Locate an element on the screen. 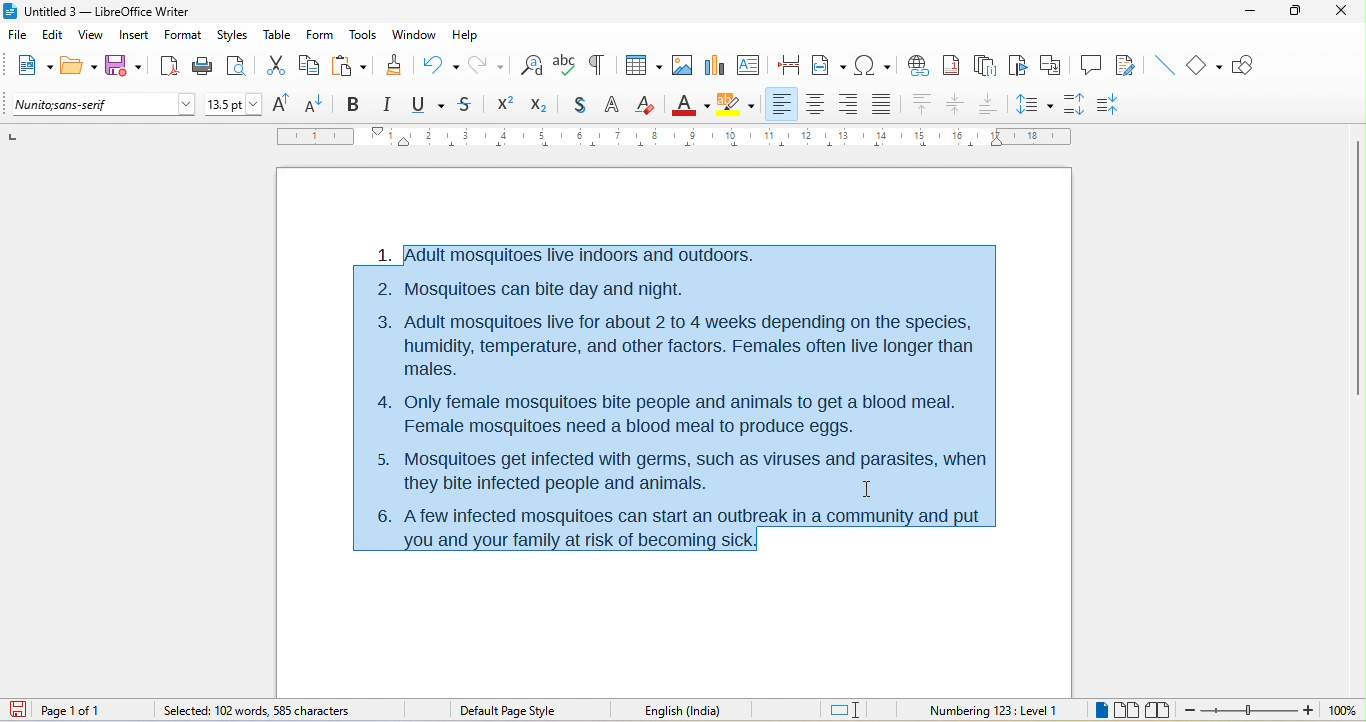 The height and width of the screenshot is (722, 1366). open is located at coordinates (79, 67).